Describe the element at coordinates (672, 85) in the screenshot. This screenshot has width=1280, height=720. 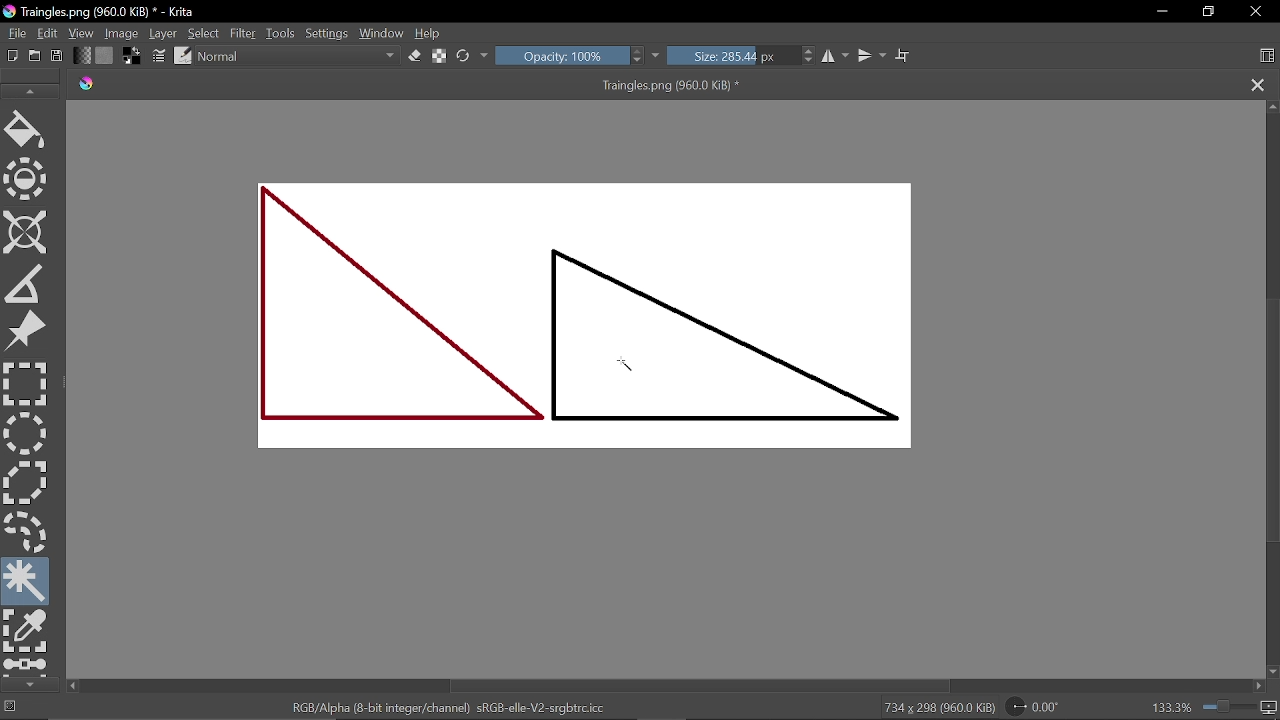
I see `Traingles.png (960.0 KiB) *` at that location.